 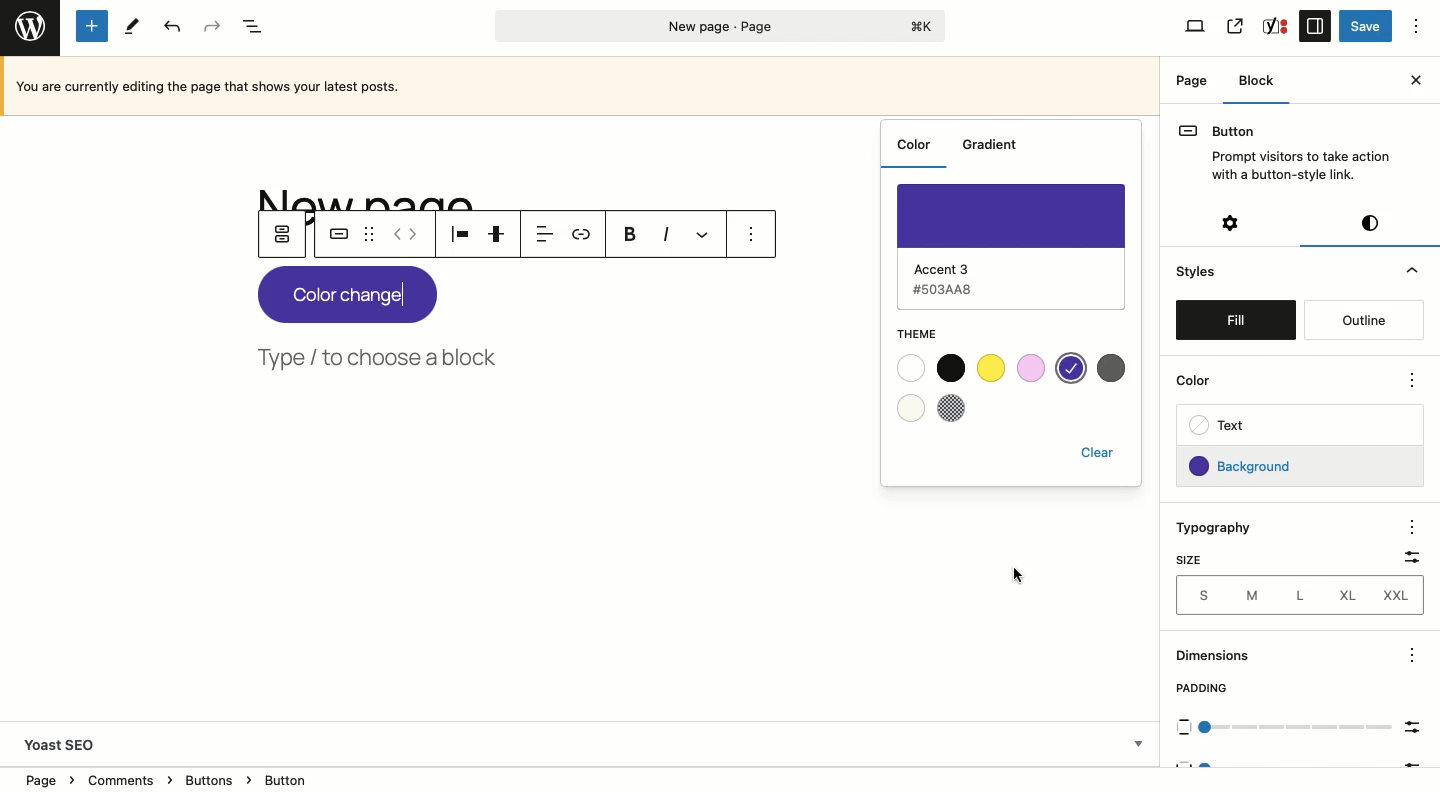 I want to click on Location, so click(x=581, y=779).